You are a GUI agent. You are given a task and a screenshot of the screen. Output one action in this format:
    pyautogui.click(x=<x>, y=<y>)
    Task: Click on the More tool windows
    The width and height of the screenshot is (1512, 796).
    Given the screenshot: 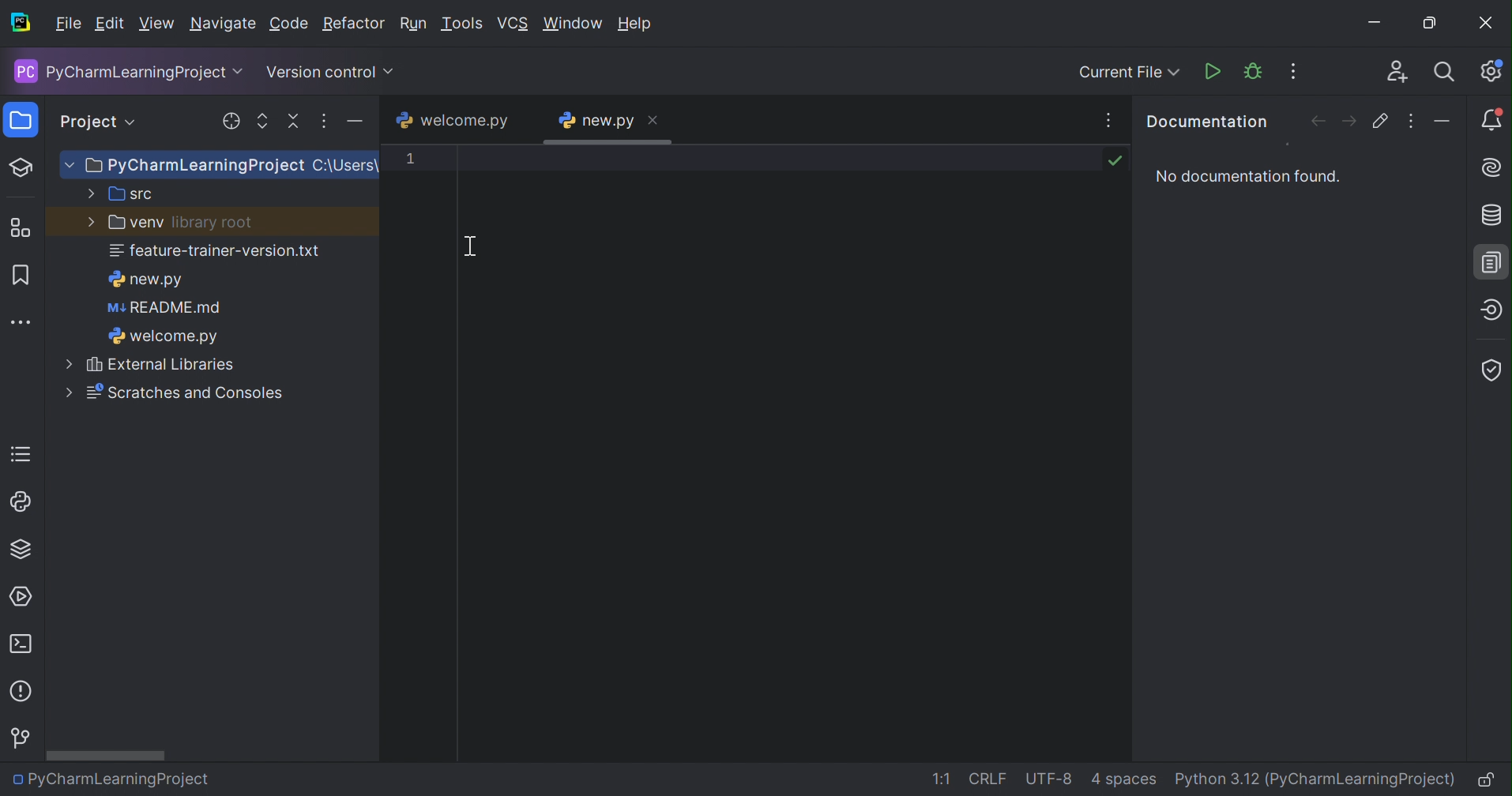 What is the action you would take?
    pyautogui.click(x=22, y=321)
    